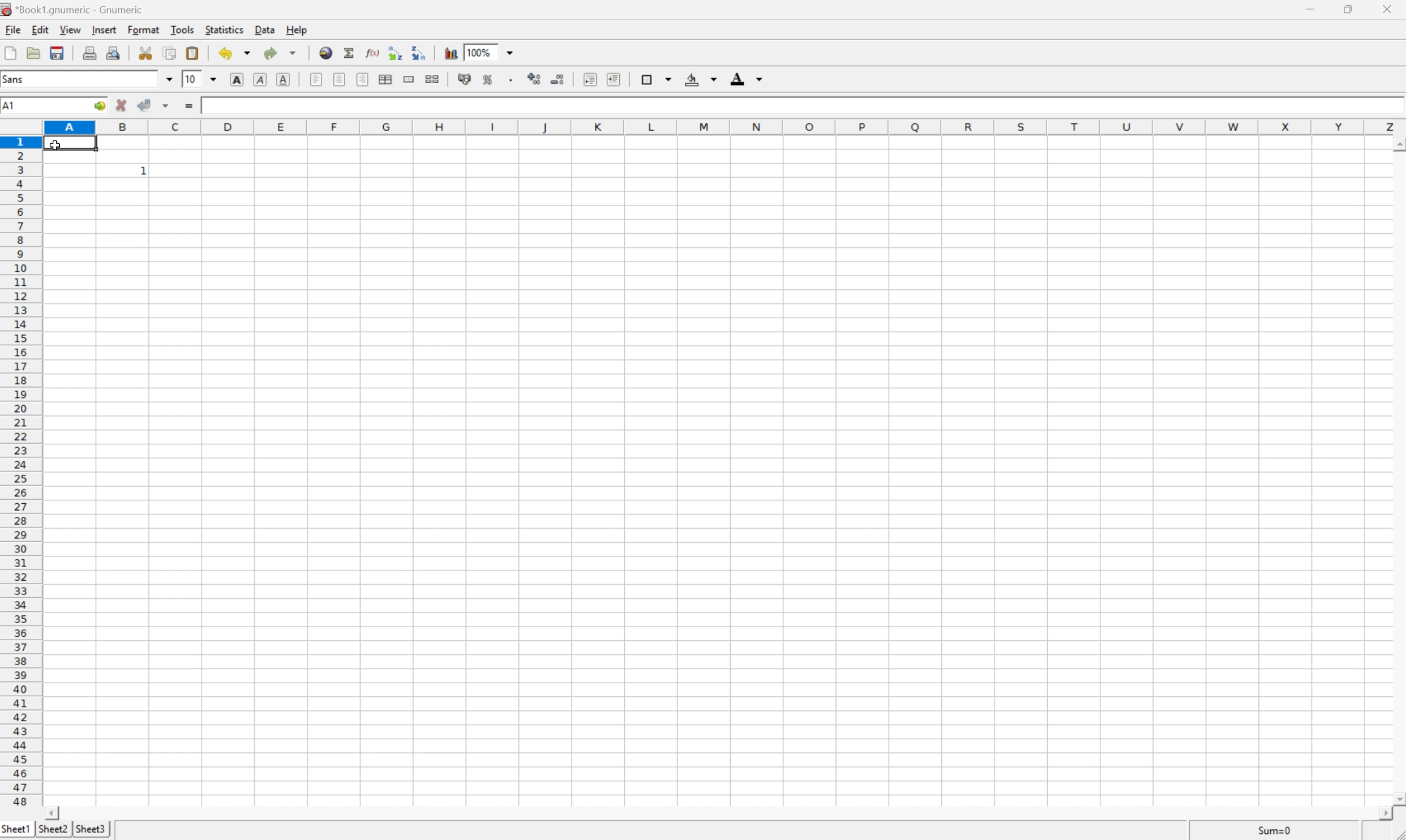 This screenshot has height=840, width=1406. What do you see at coordinates (1279, 833) in the screenshot?
I see `sum=0` at bounding box center [1279, 833].